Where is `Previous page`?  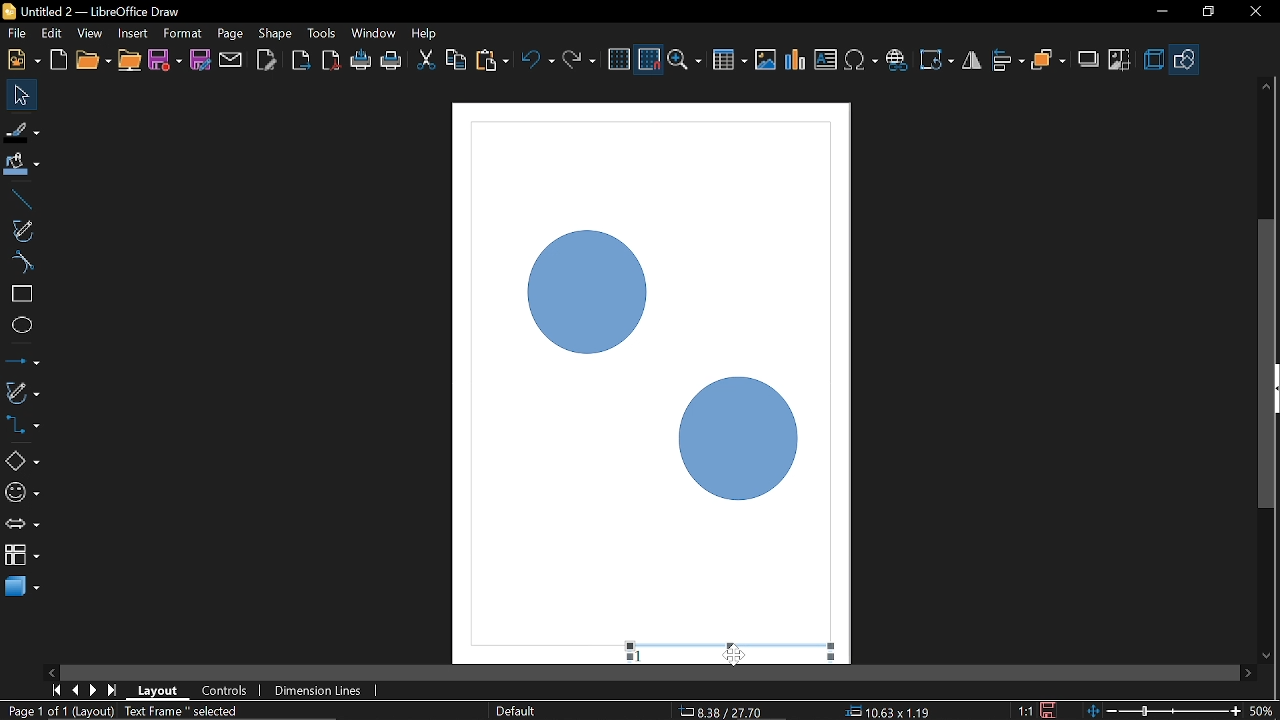 Previous page is located at coordinates (77, 690).